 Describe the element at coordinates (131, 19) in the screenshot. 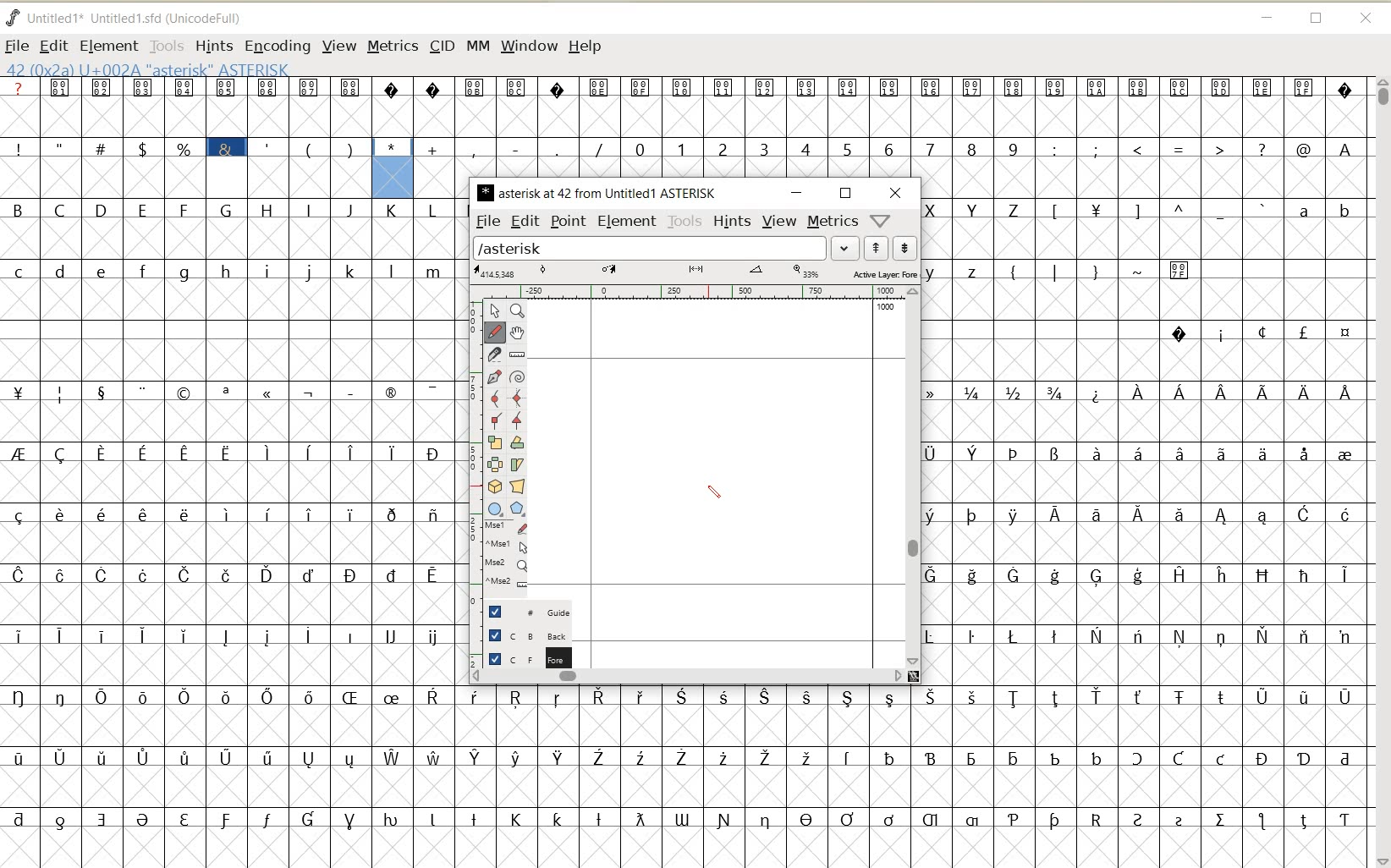

I see `FONT NAME` at that location.